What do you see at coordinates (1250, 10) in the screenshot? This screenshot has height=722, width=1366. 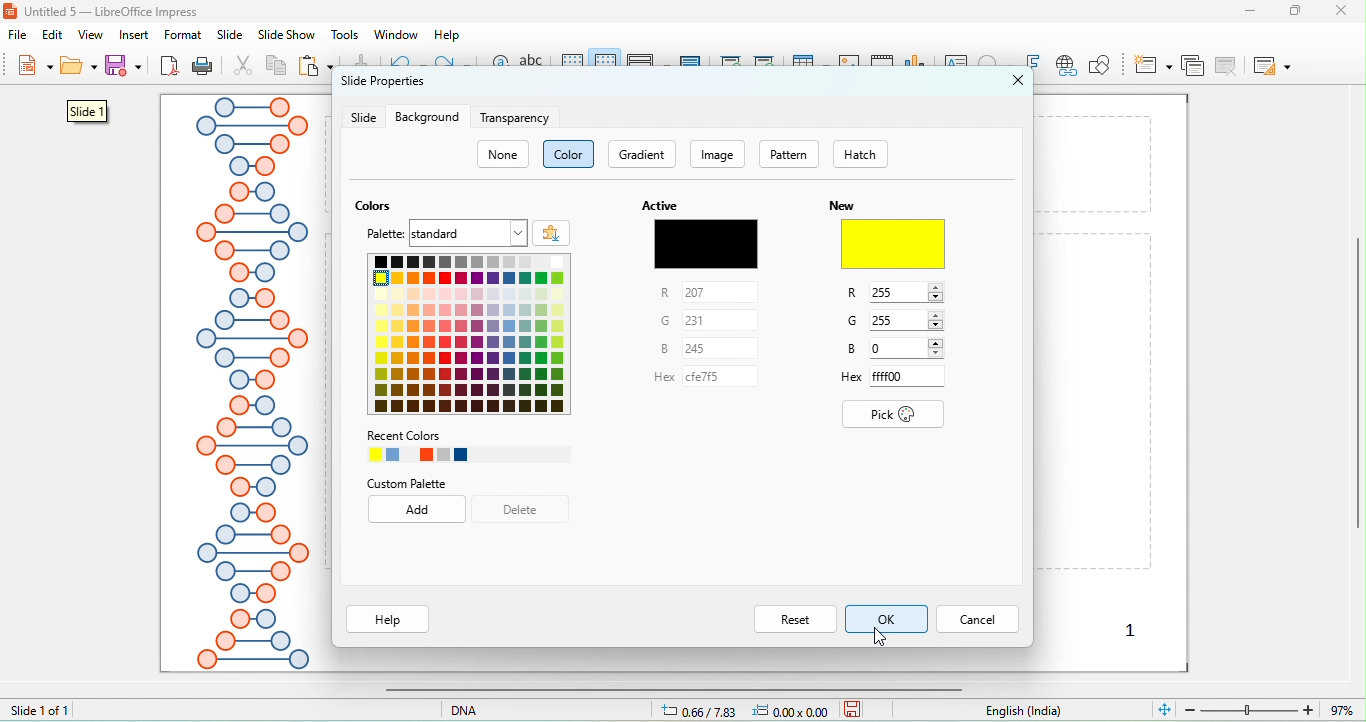 I see `minimize` at bounding box center [1250, 10].